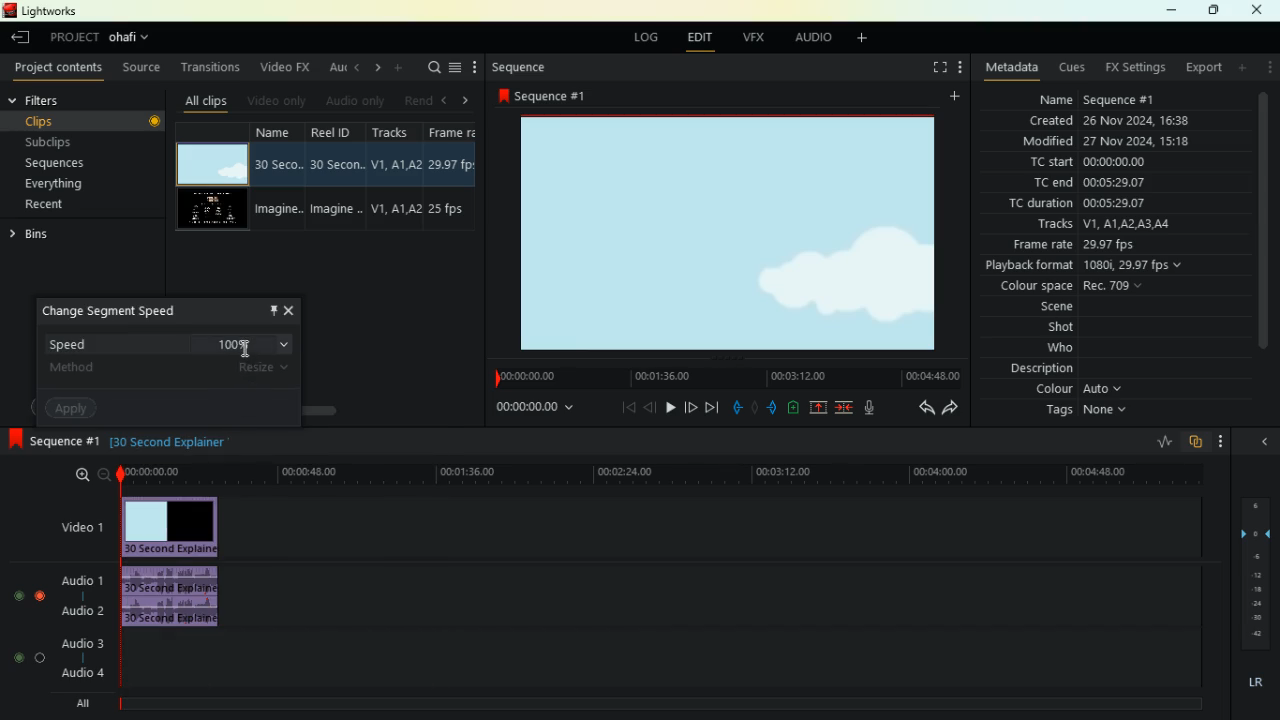  I want to click on timeline, so click(657, 704).